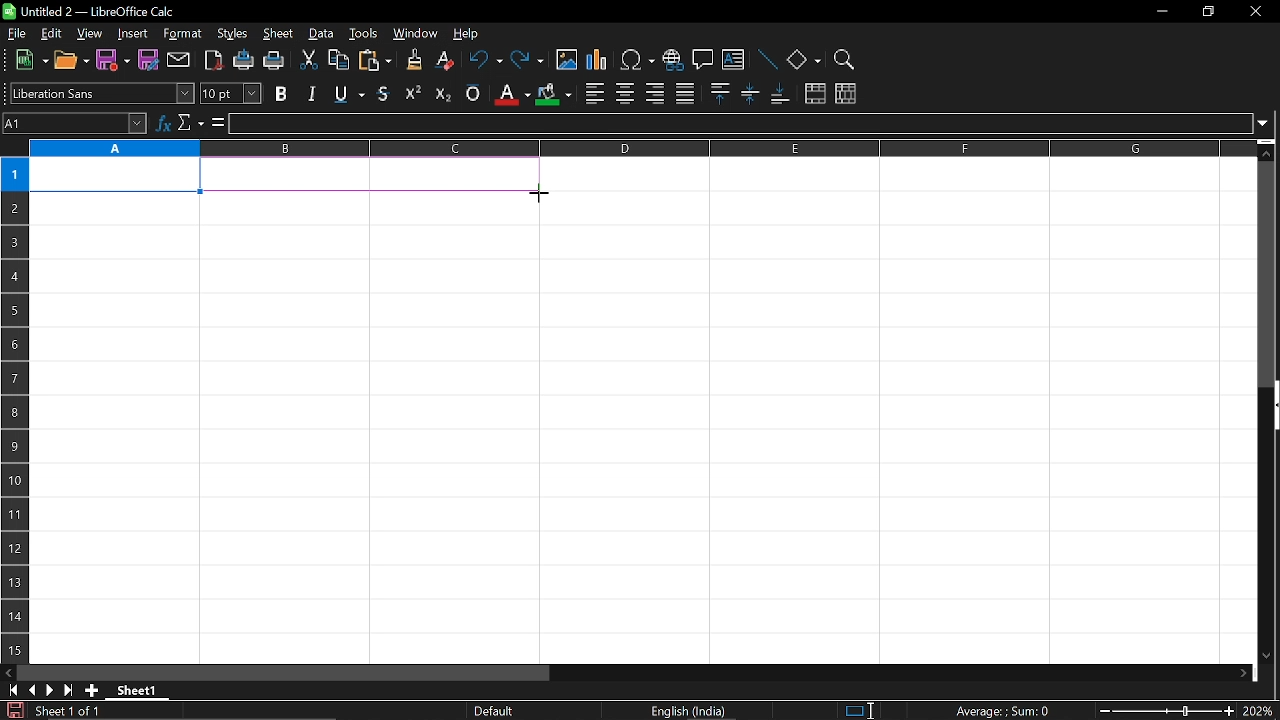  What do you see at coordinates (346, 94) in the screenshot?
I see `underline` at bounding box center [346, 94].